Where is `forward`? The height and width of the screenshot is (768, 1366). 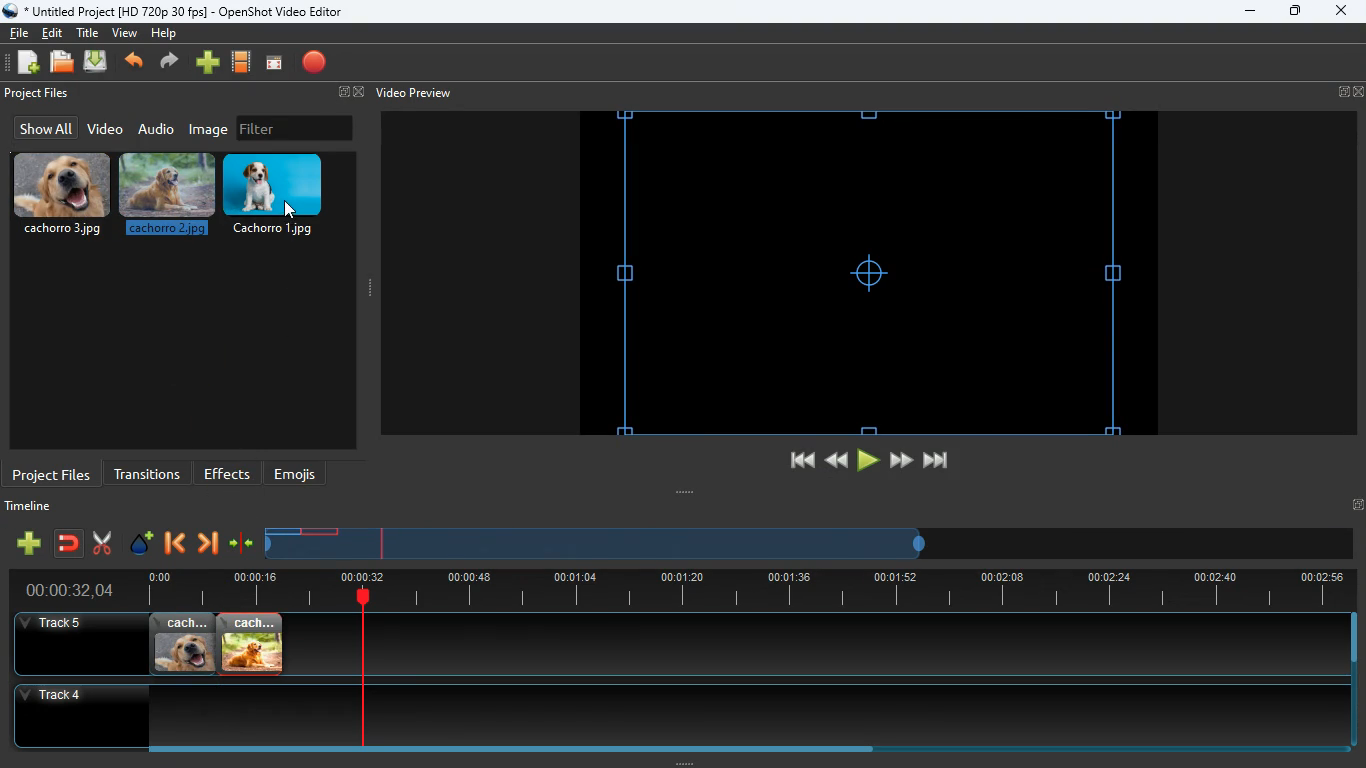 forward is located at coordinates (172, 63).